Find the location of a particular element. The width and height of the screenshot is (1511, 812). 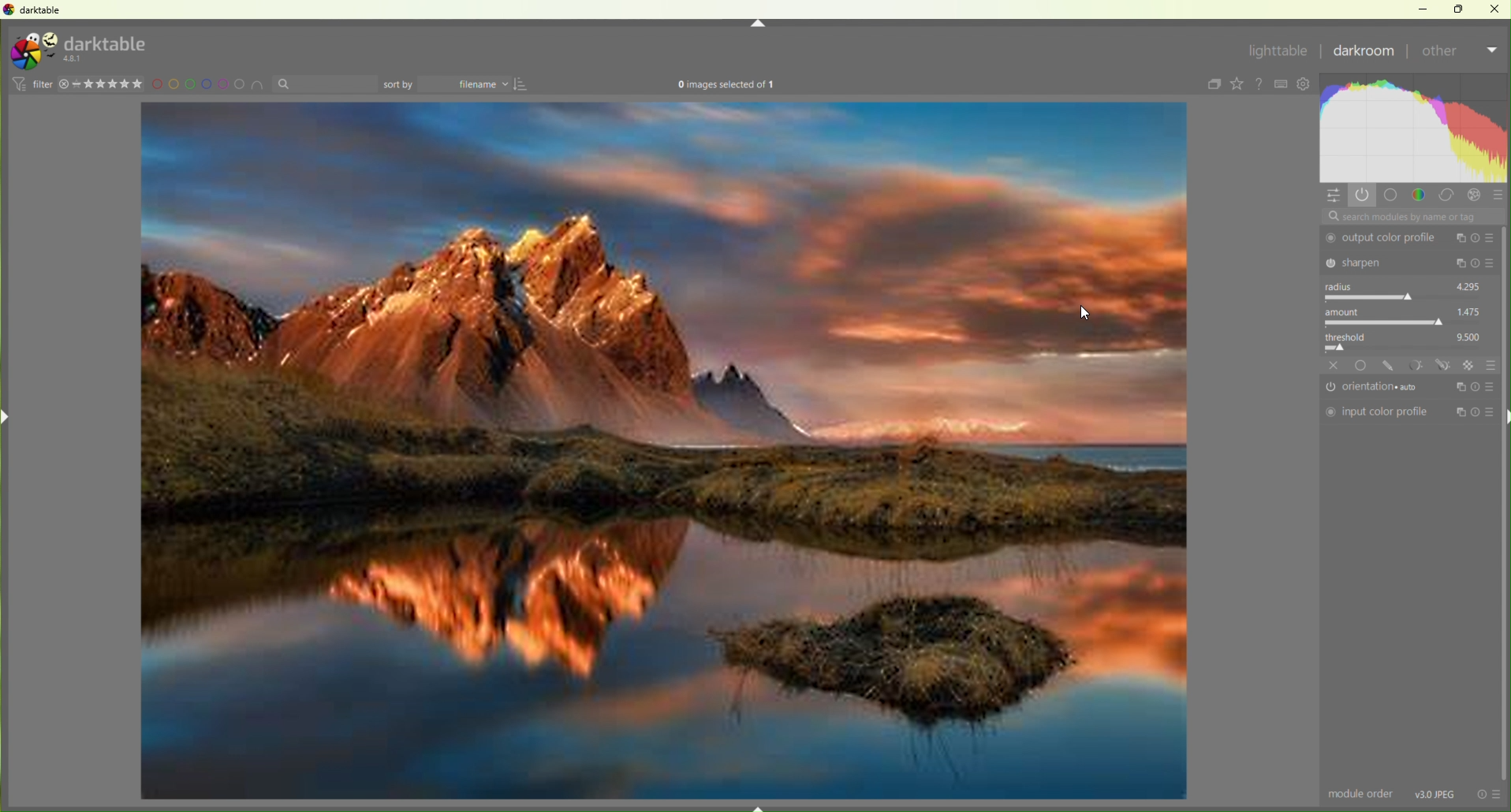

text is located at coordinates (726, 86).